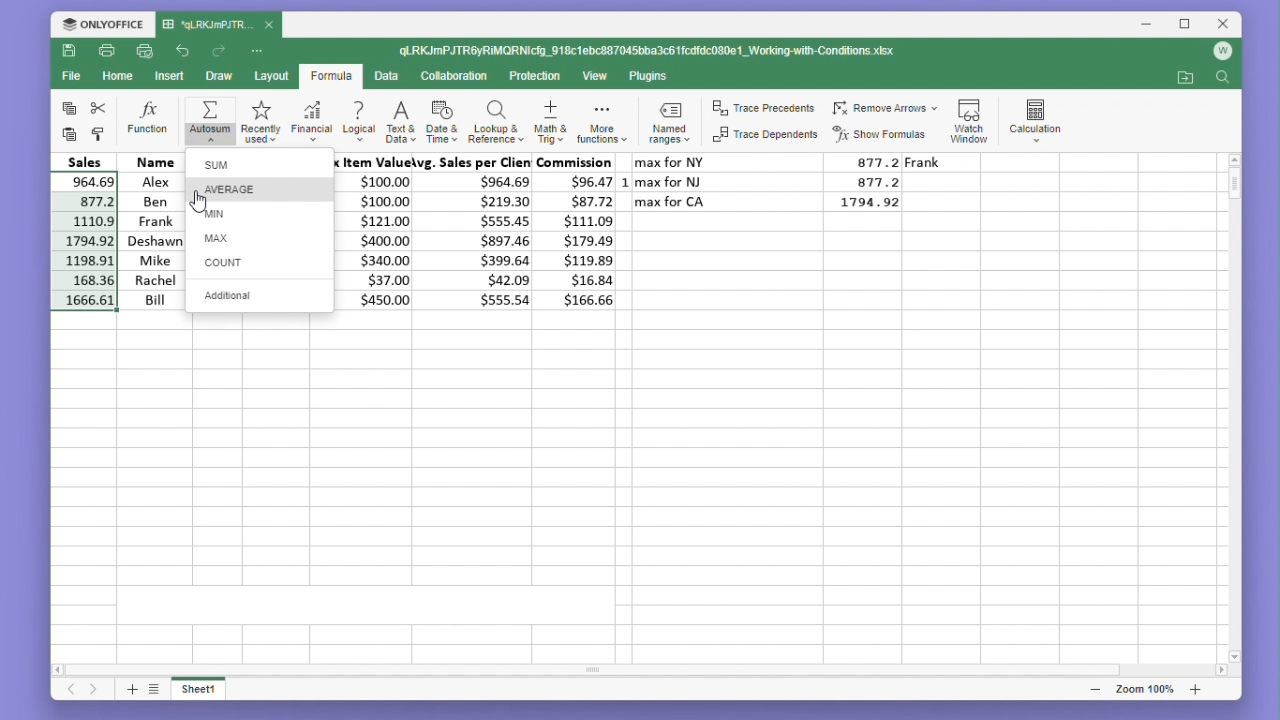 The image size is (1280, 720). Describe the element at coordinates (106, 50) in the screenshot. I see `Print file` at that location.